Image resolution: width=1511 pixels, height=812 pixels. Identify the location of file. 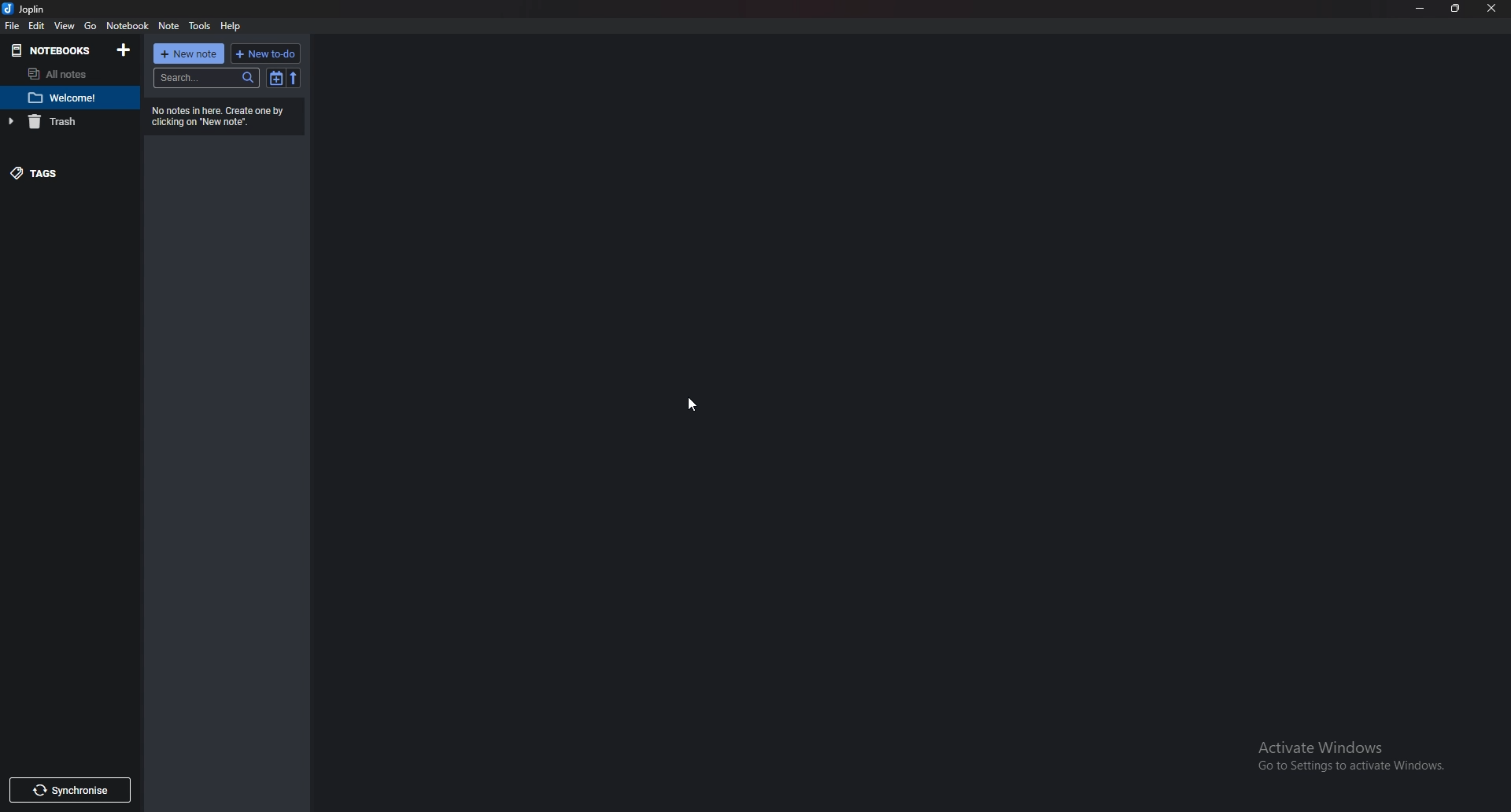
(14, 24).